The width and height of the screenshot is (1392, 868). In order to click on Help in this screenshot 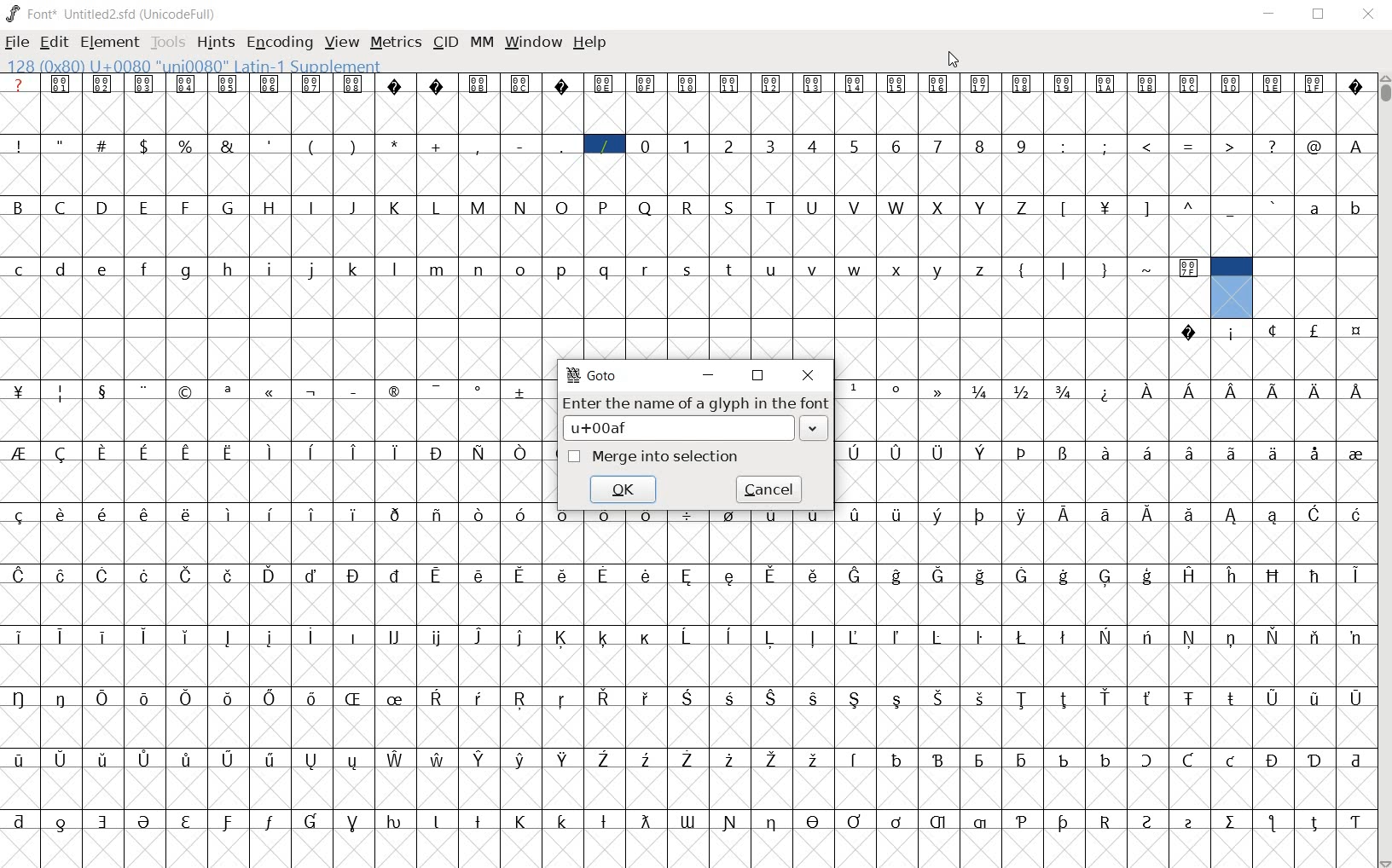, I will do `click(591, 43)`.